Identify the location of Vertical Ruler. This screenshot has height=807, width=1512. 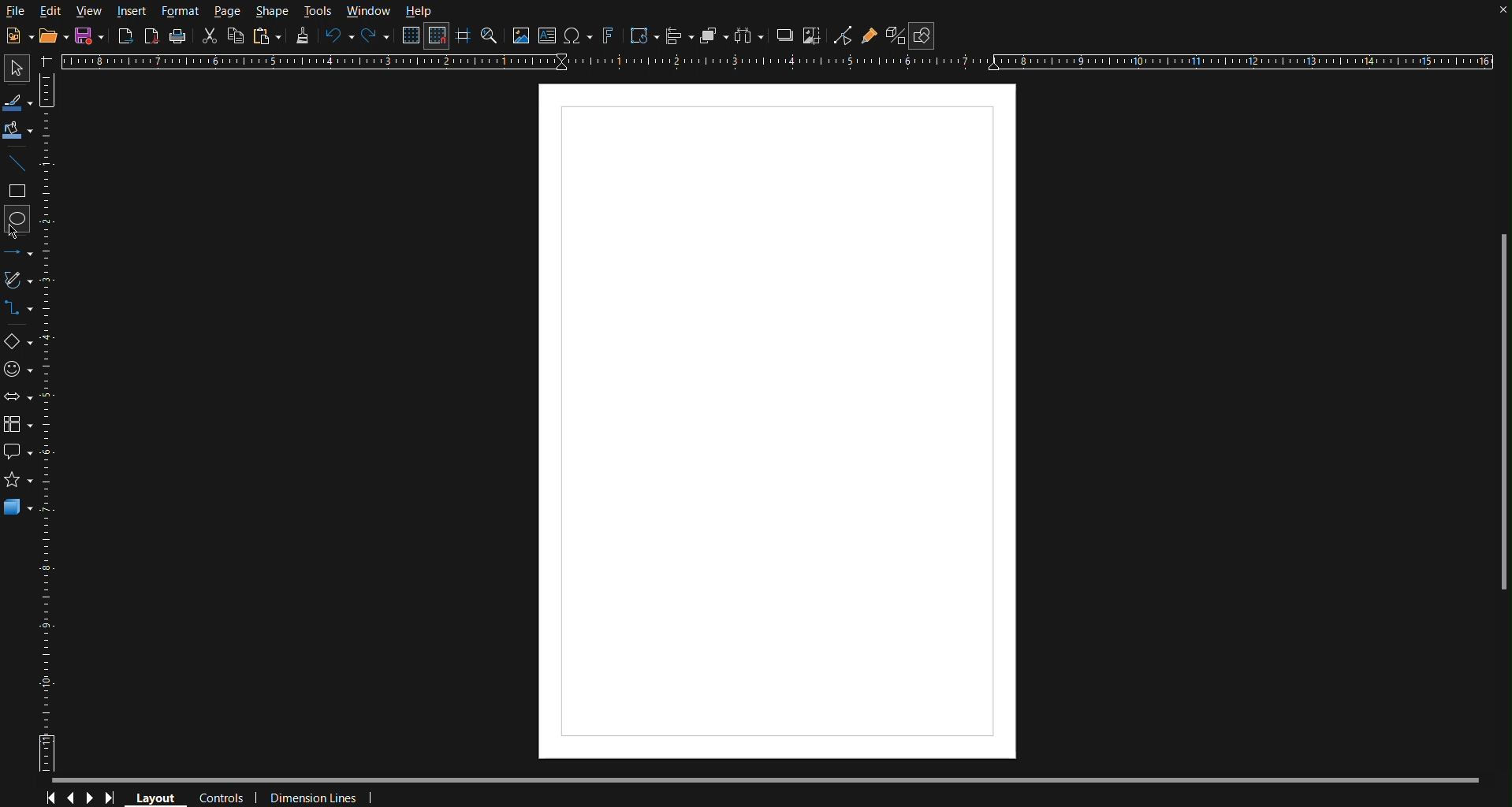
(52, 425).